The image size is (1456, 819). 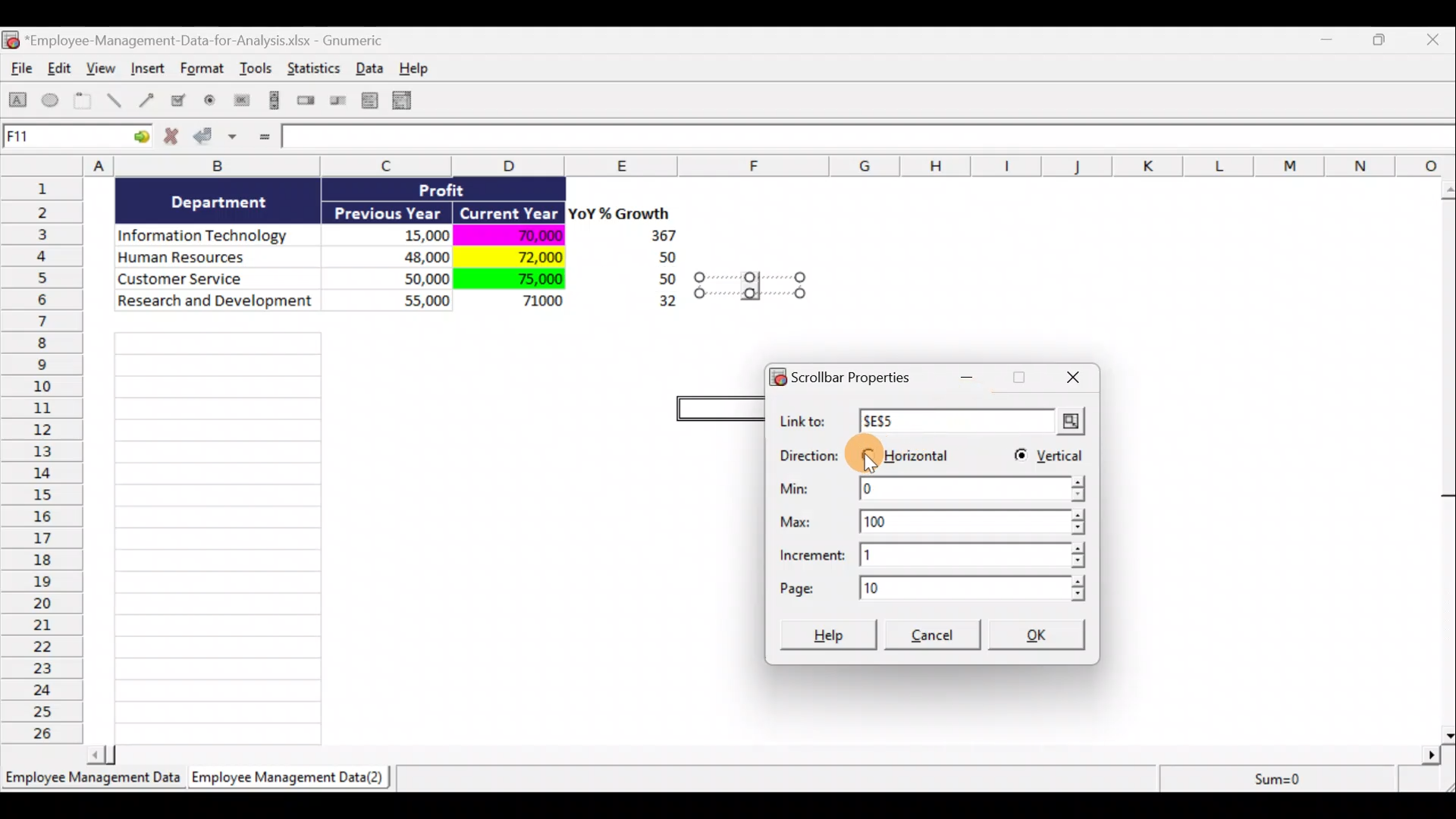 I want to click on Close, so click(x=1436, y=41).